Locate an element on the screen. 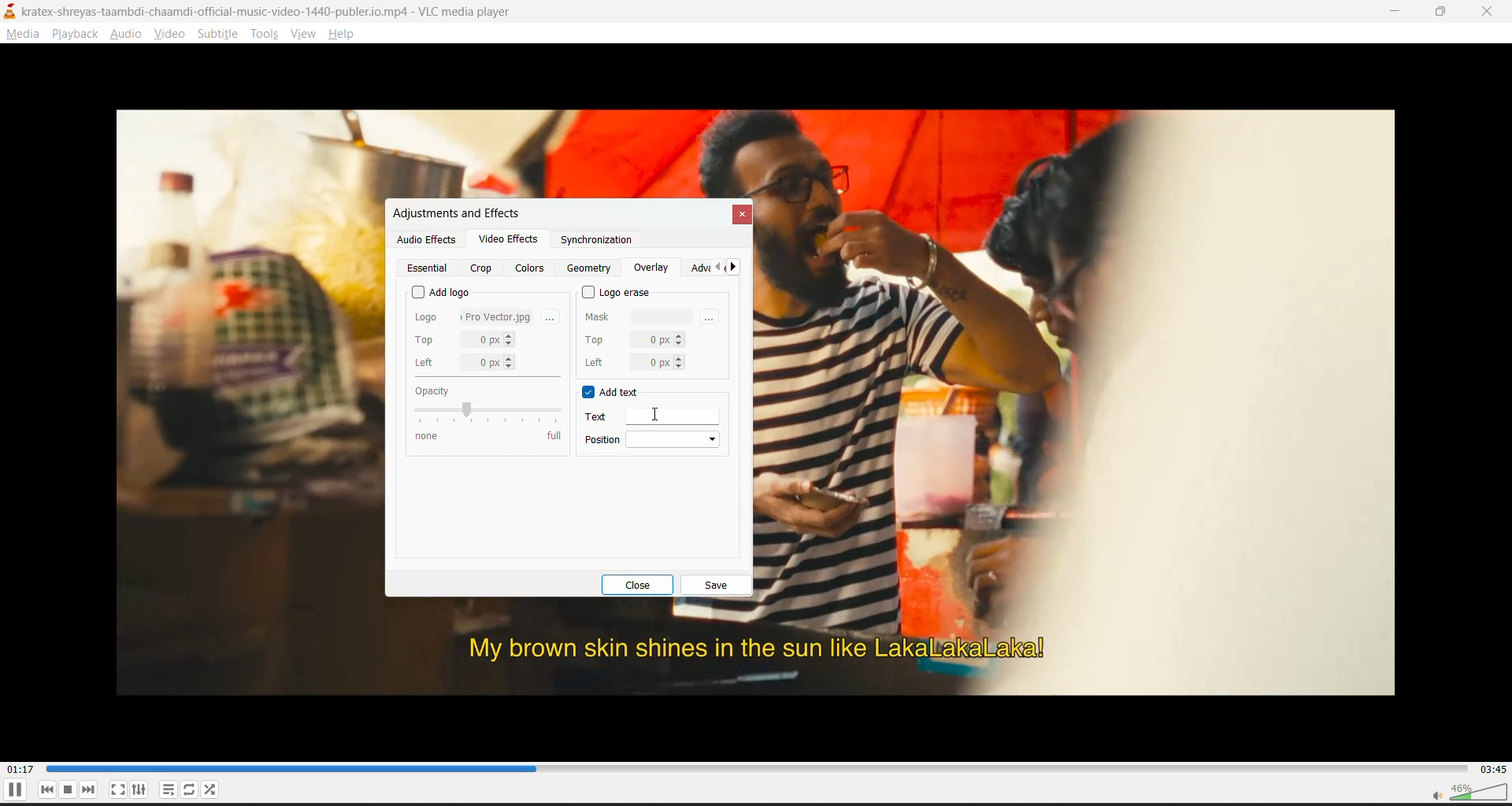  kratex-shreyas-taambdi-chaamdi-official-music-video-1440-publer.io.mp4 - VLC media player is located at coordinates (280, 10).